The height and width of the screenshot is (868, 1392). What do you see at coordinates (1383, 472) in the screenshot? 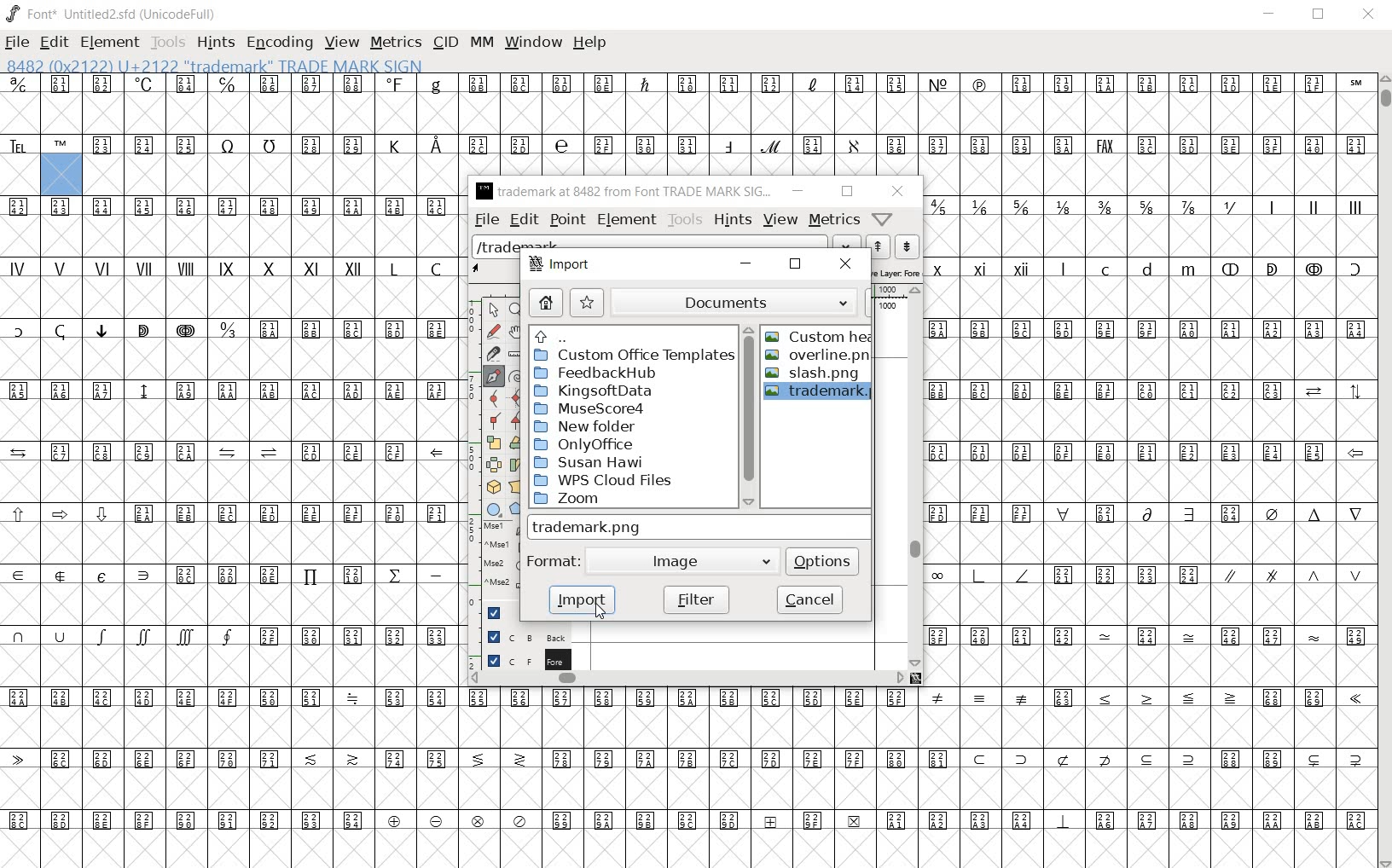
I see `SCROLLBAR` at bounding box center [1383, 472].